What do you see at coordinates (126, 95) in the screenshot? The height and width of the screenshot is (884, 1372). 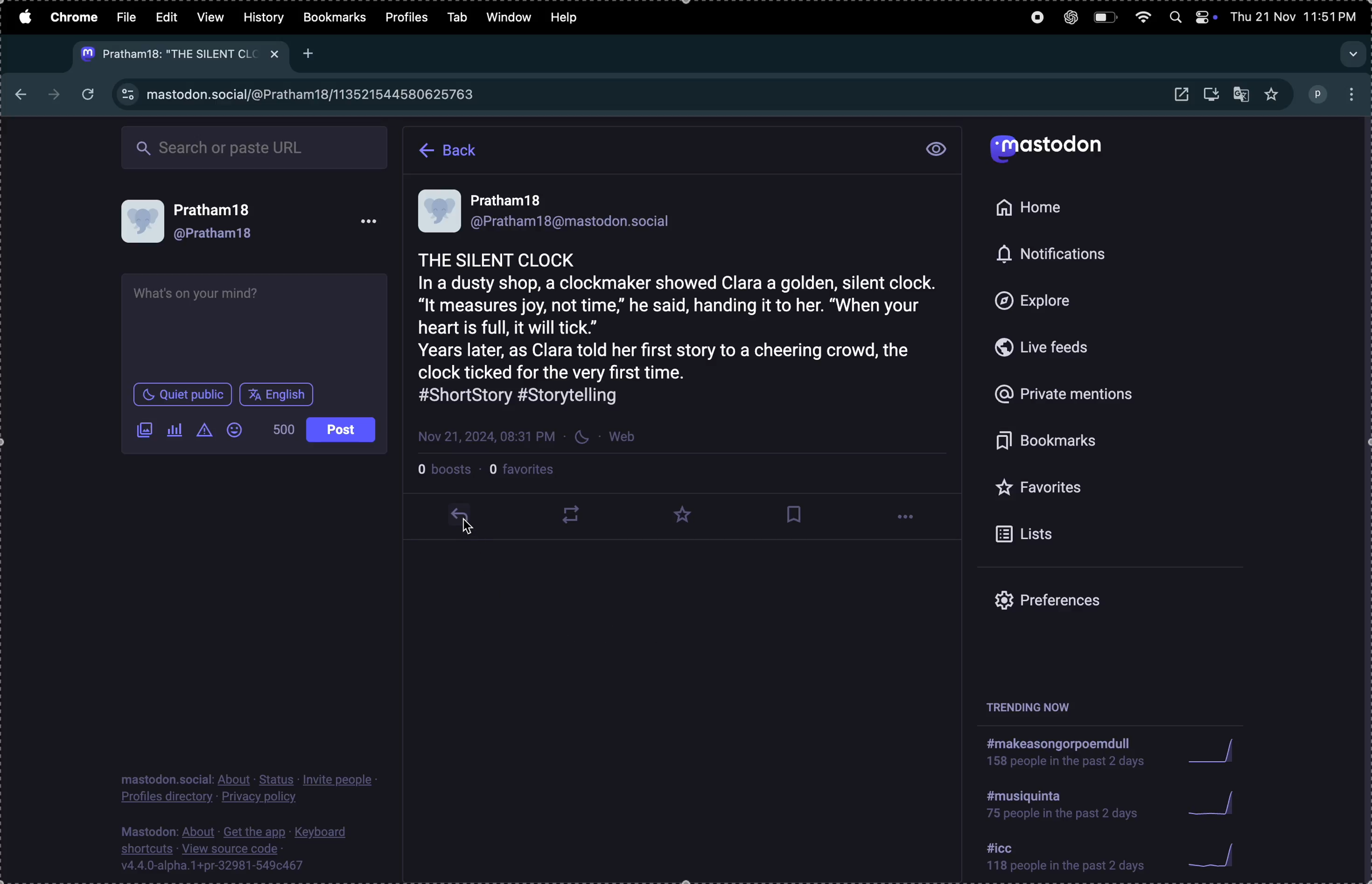 I see `view site information` at bounding box center [126, 95].